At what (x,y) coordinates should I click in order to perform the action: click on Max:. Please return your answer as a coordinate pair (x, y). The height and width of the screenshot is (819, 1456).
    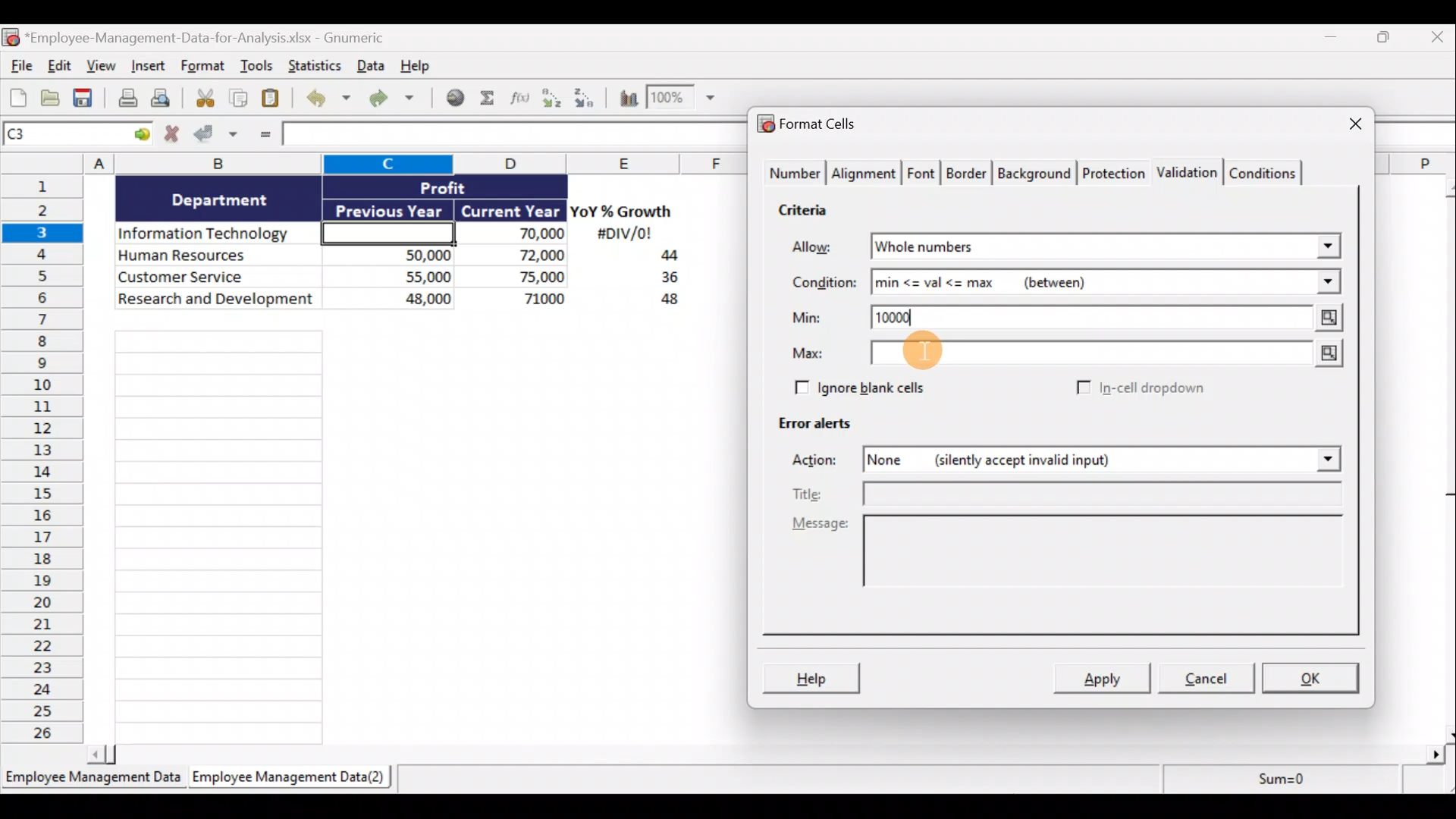
    Looking at the image, I should click on (808, 356).